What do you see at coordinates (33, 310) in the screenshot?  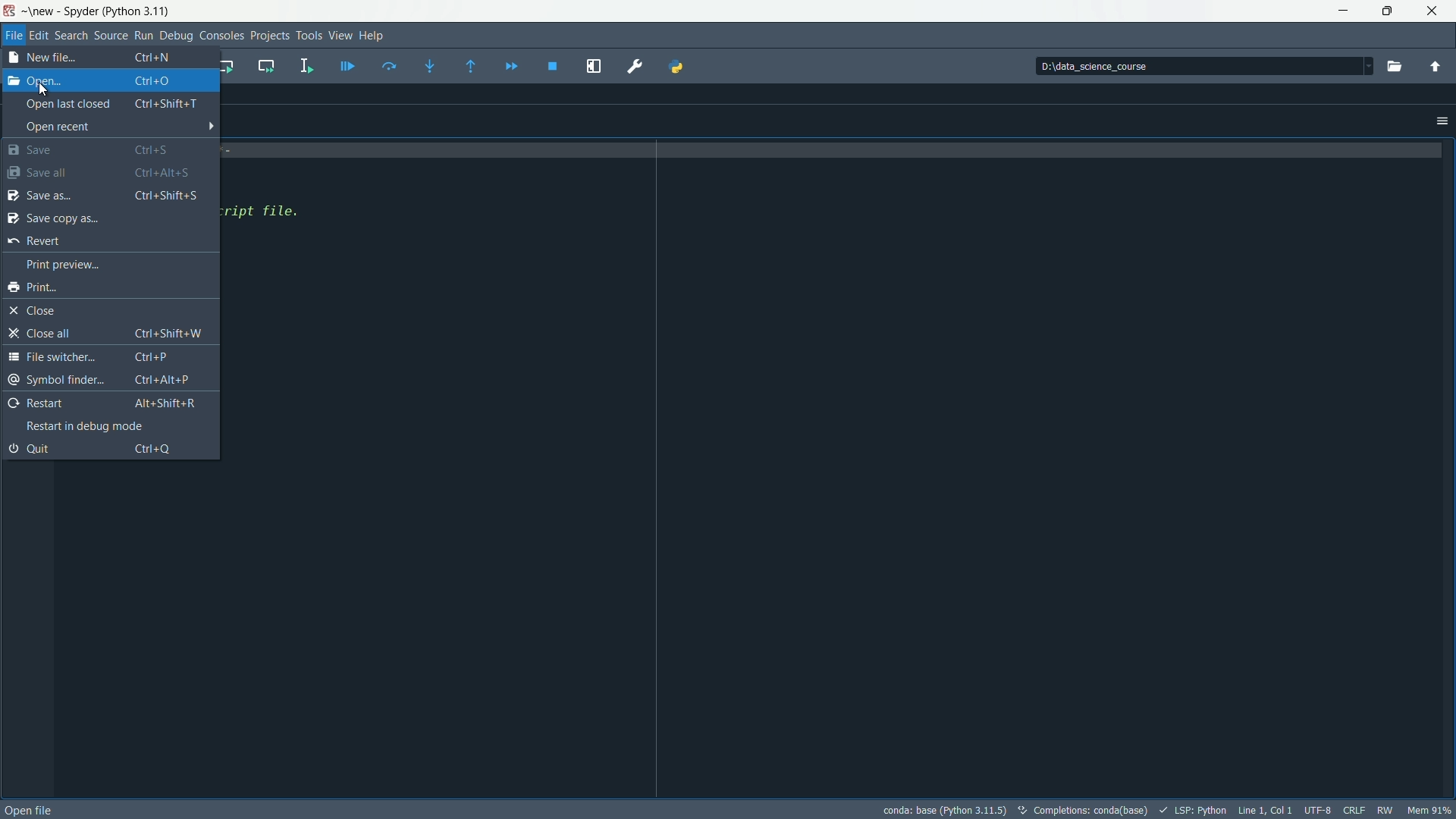 I see `close` at bounding box center [33, 310].